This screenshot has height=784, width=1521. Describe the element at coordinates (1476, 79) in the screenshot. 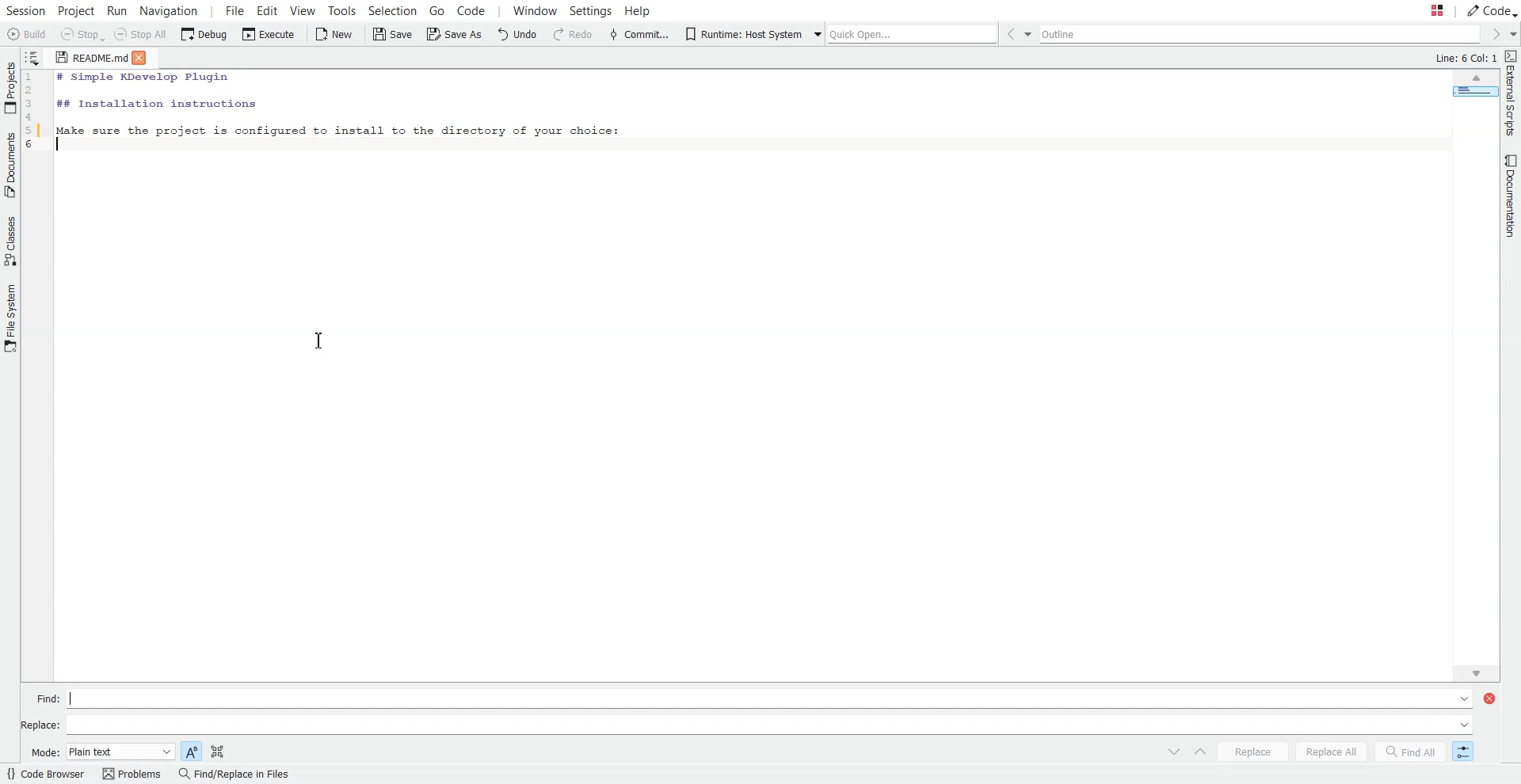

I see `Scroll up arrow` at that location.